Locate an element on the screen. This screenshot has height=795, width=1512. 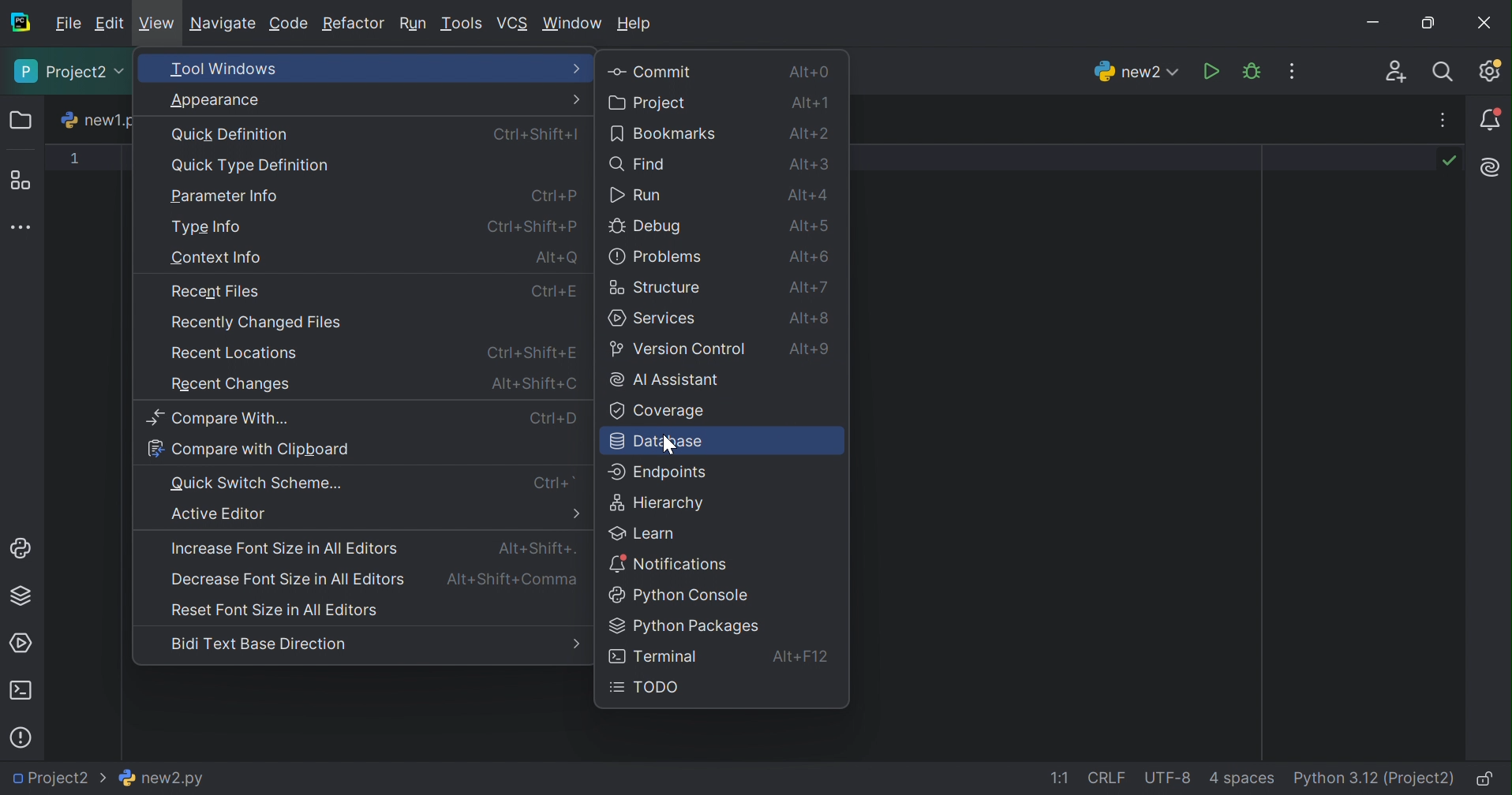
Alt+Shift+. is located at coordinates (538, 549).